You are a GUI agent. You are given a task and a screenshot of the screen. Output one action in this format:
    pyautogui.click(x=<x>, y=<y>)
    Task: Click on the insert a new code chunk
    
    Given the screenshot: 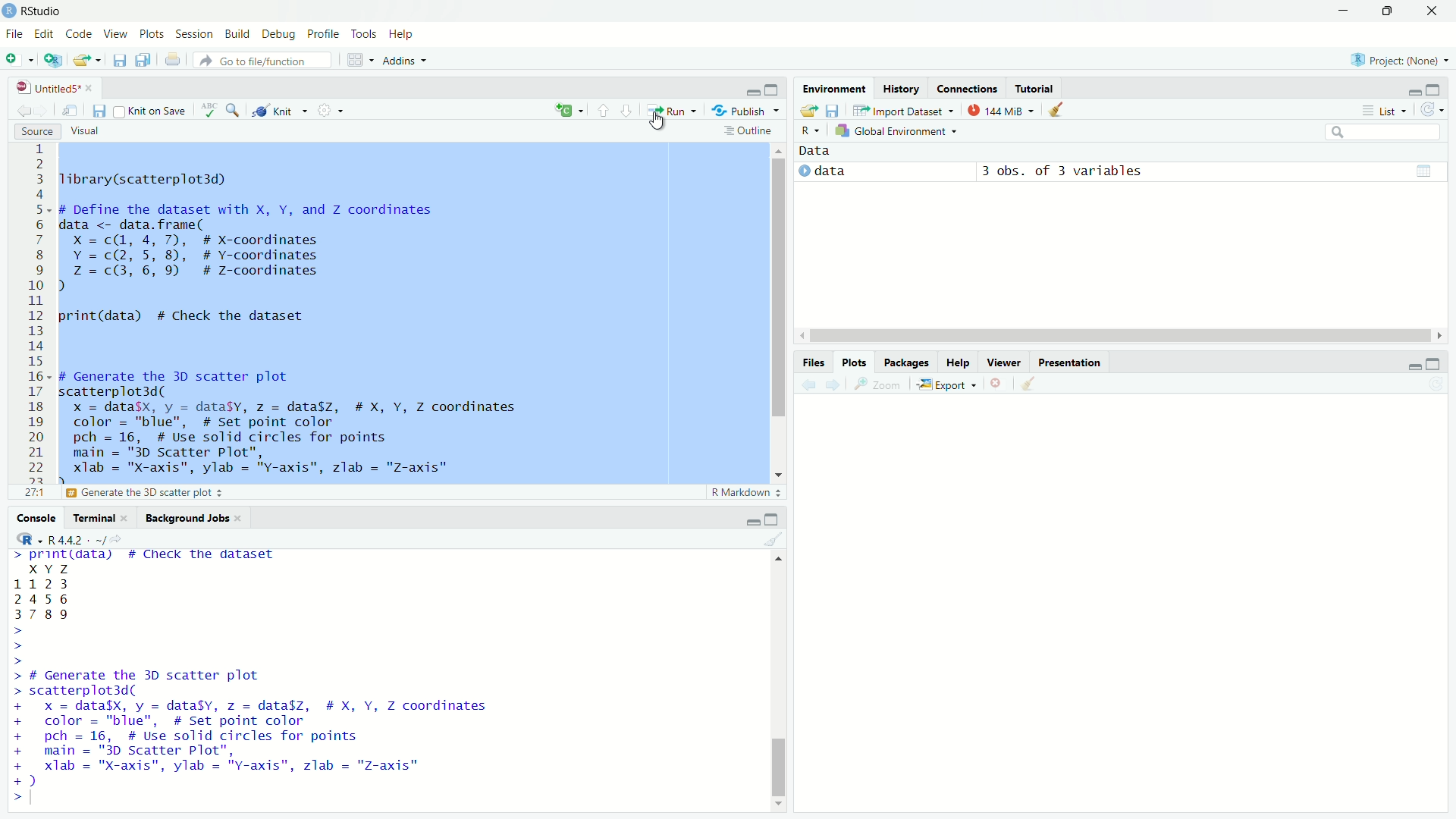 What is the action you would take?
    pyautogui.click(x=571, y=111)
    